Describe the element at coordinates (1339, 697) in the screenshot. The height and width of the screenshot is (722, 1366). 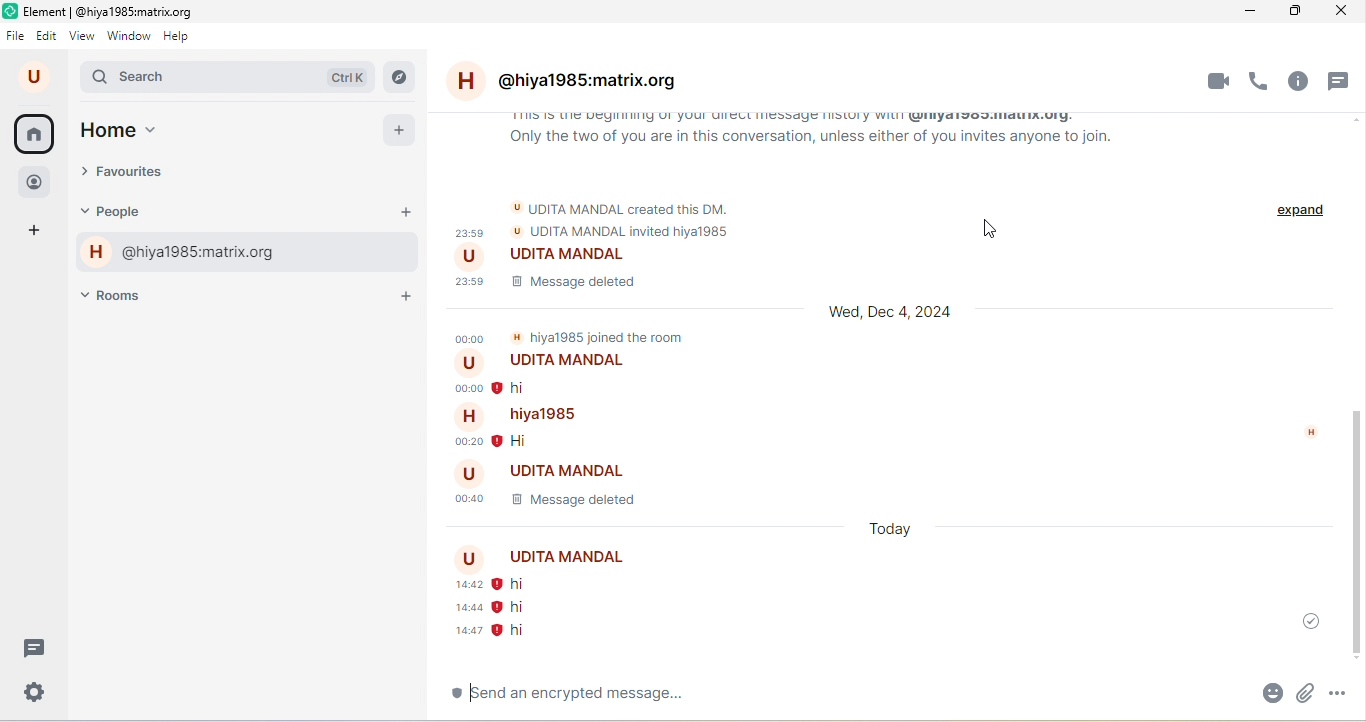
I see `send message` at that location.